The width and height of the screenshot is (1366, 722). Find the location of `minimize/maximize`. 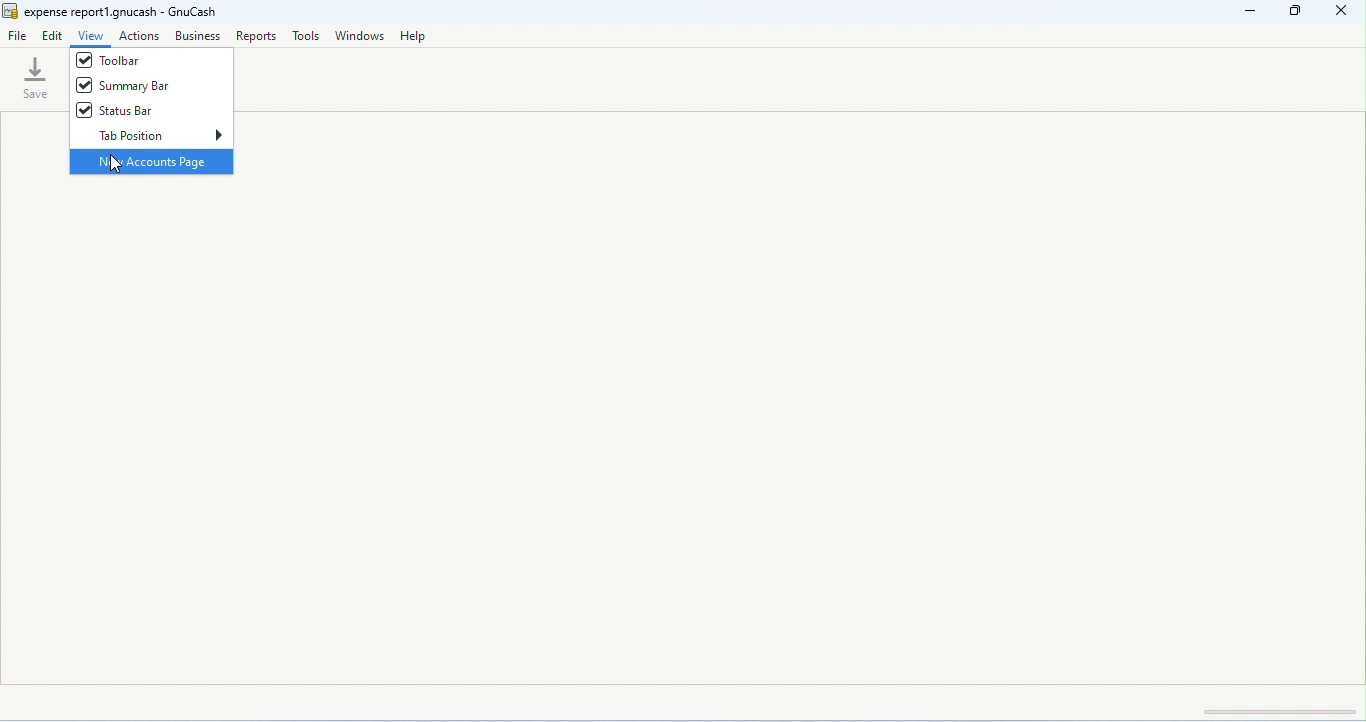

minimize/maximize is located at coordinates (1297, 12).